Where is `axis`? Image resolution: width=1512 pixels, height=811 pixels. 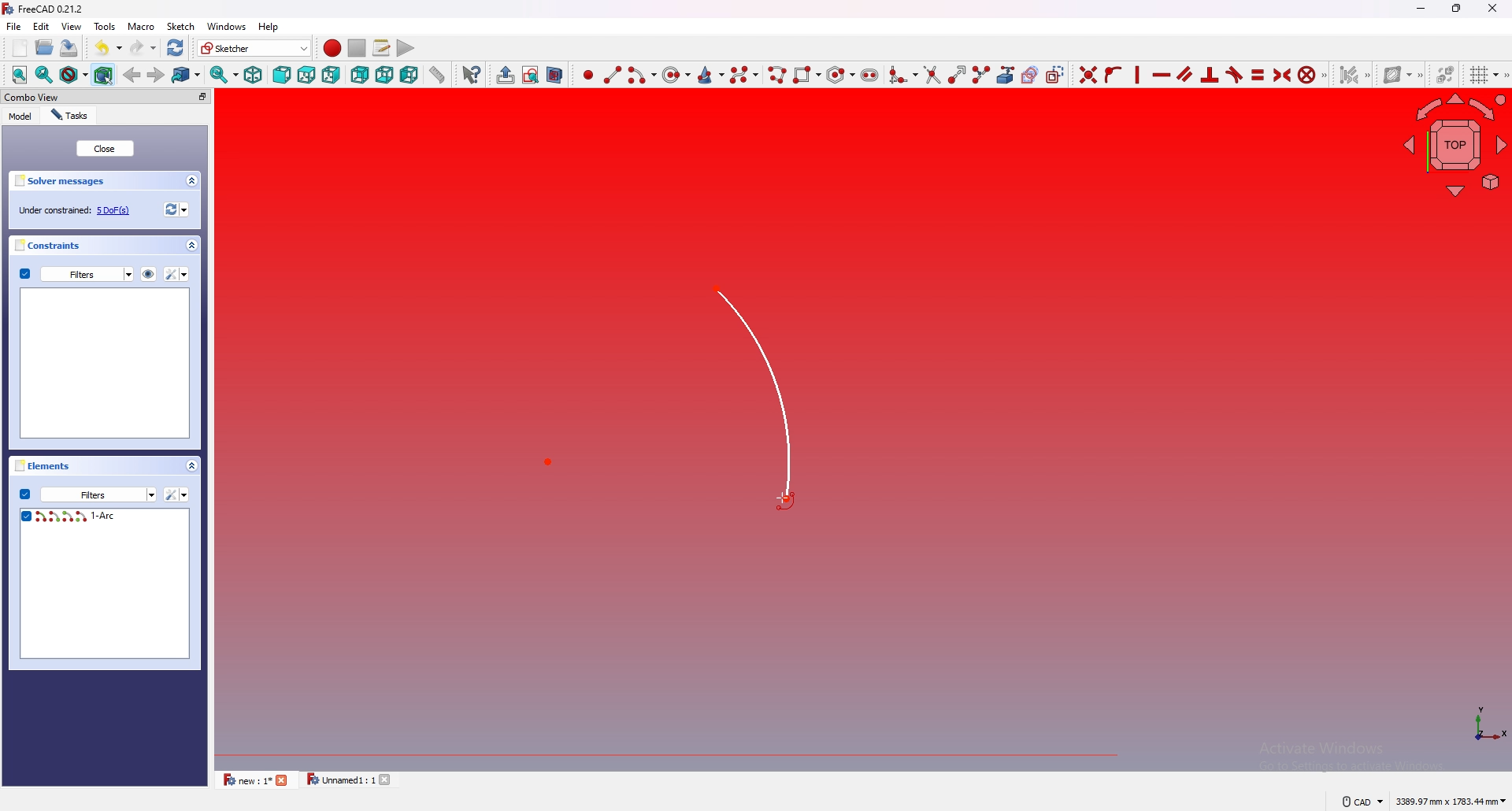 axis is located at coordinates (1482, 724).